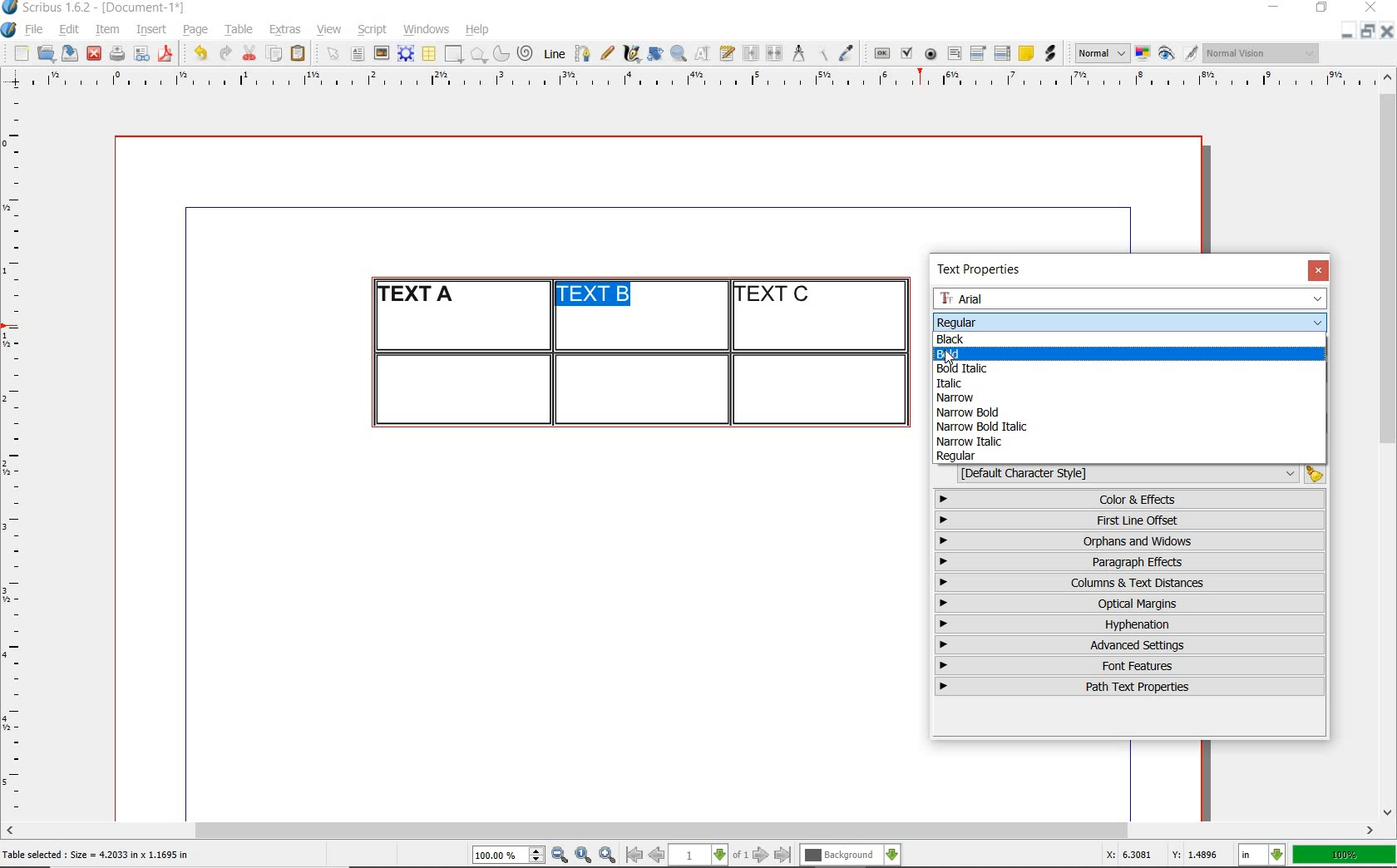 This screenshot has width=1397, height=868. What do you see at coordinates (1131, 520) in the screenshot?
I see `first line offset` at bounding box center [1131, 520].